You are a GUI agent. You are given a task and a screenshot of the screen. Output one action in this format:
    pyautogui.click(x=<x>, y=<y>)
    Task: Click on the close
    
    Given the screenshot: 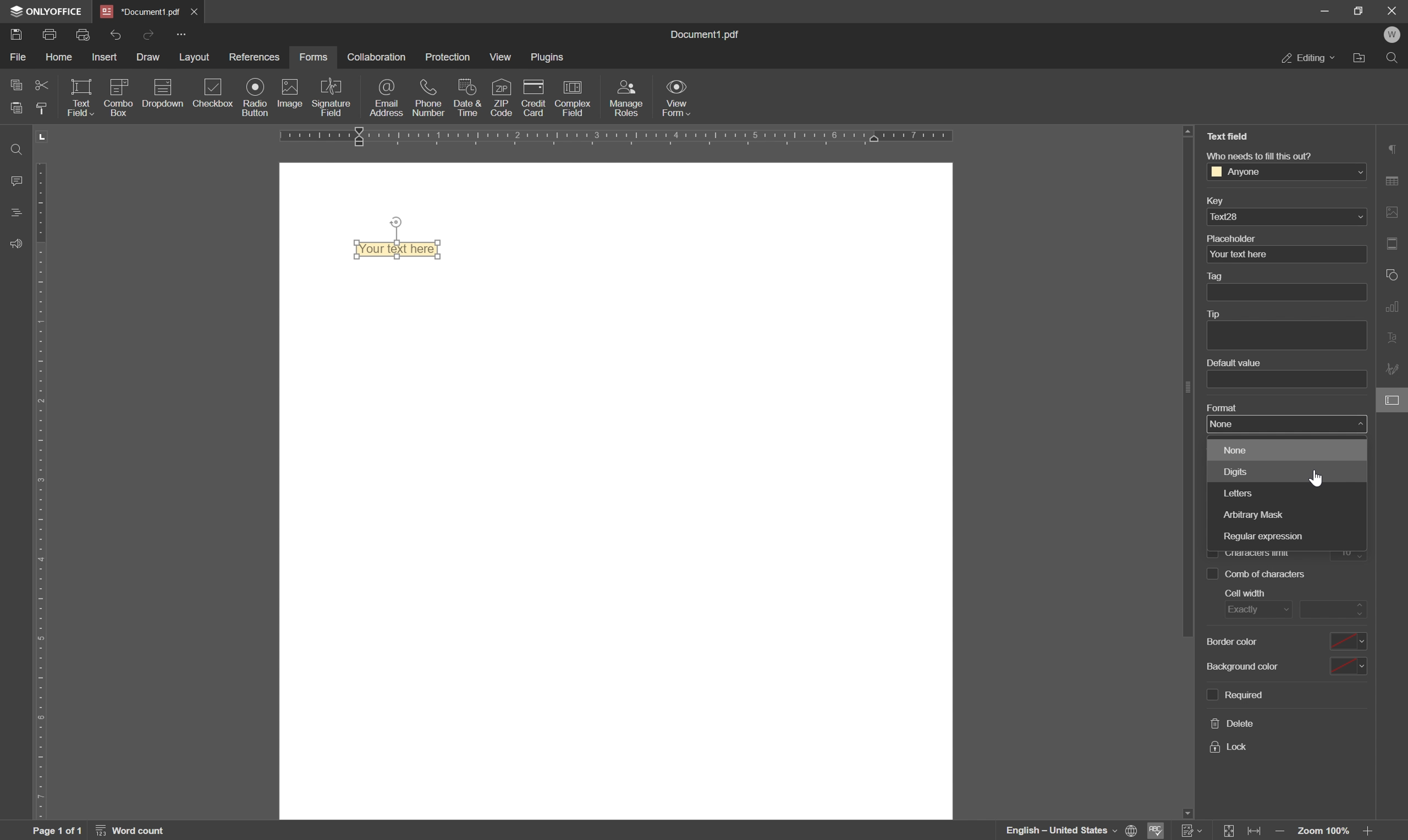 What is the action you would take?
    pyautogui.click(x=195, y=10)
    